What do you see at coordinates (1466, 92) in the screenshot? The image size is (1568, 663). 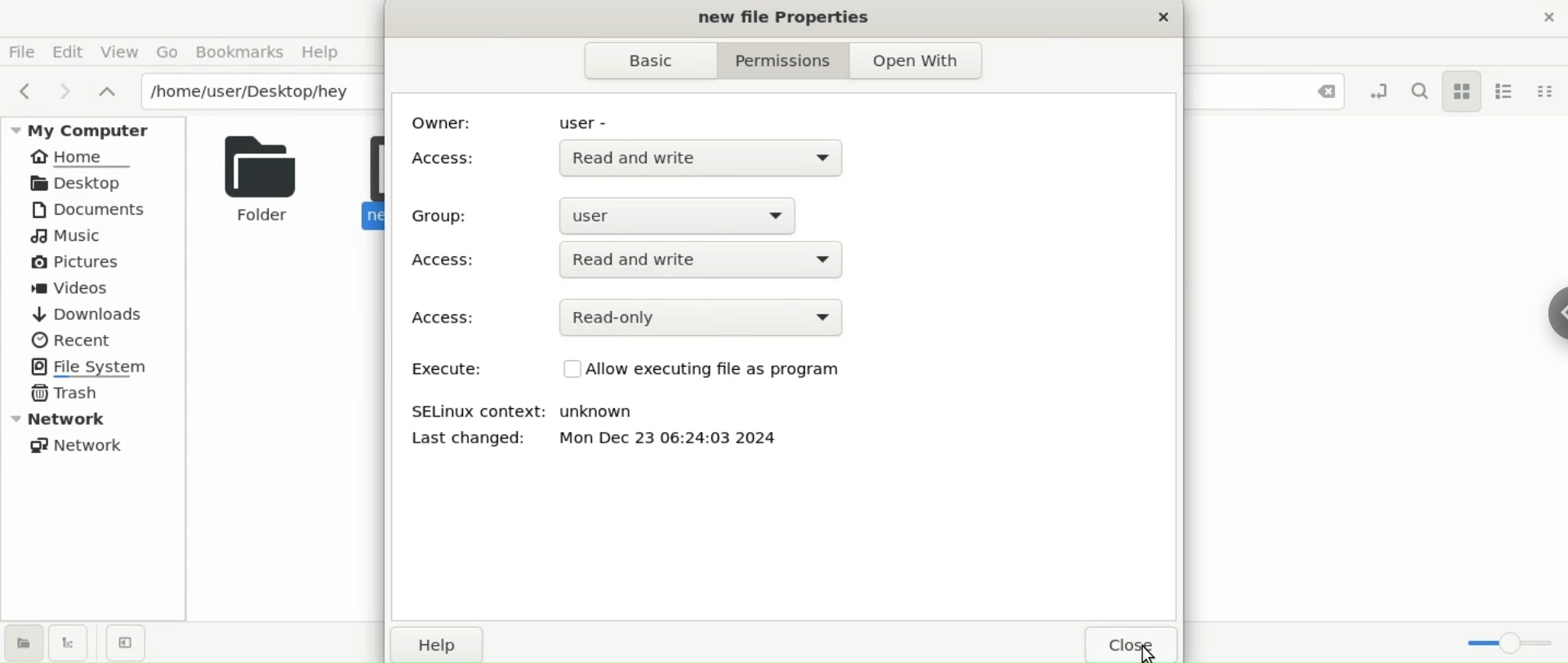 I see `icon view` at bounding box center [1466, 92].